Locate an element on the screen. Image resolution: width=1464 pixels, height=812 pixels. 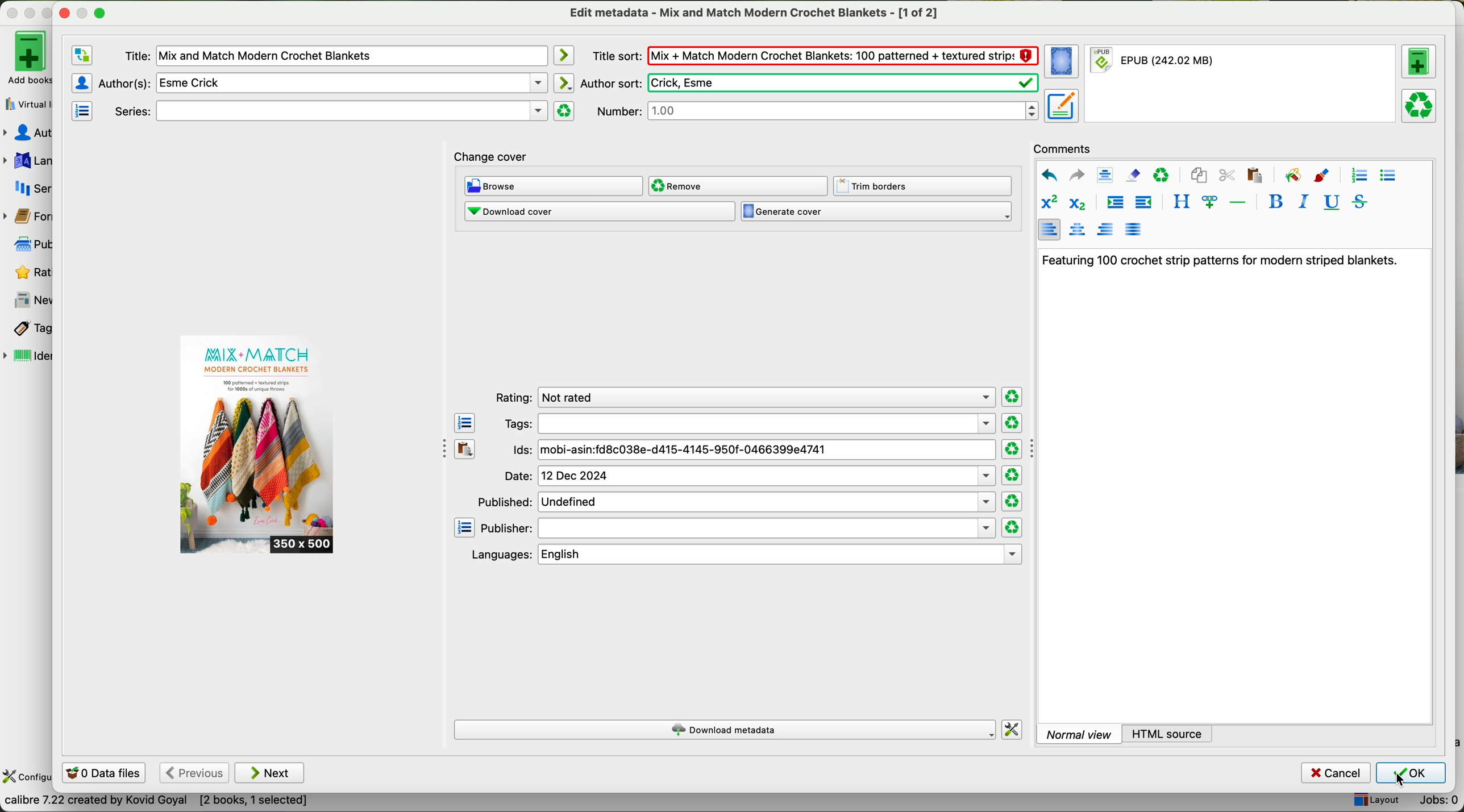
formats is located at coordinates (26, 216).